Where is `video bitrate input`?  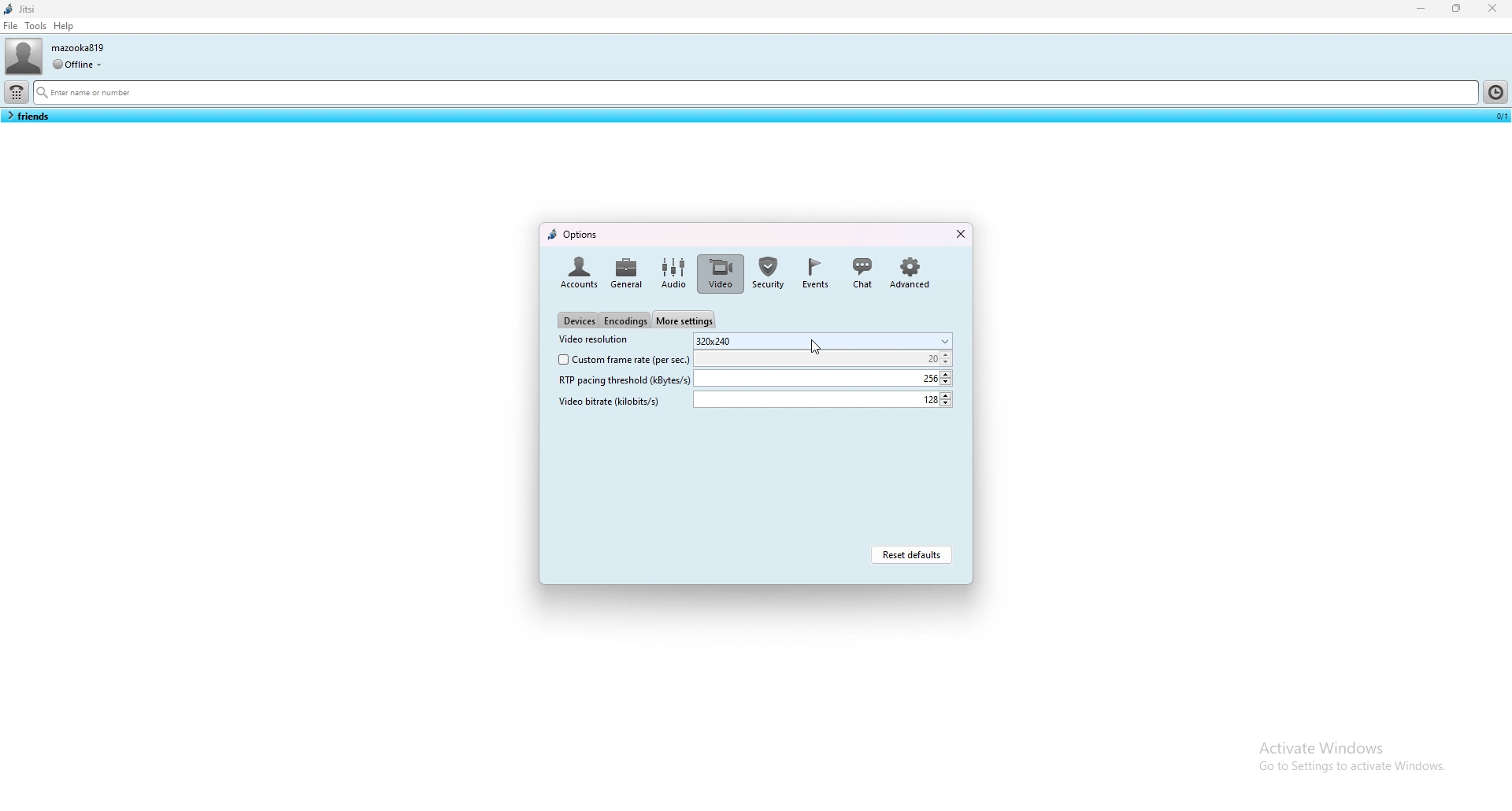 video bitrate input is located at coordinates (823, 400).